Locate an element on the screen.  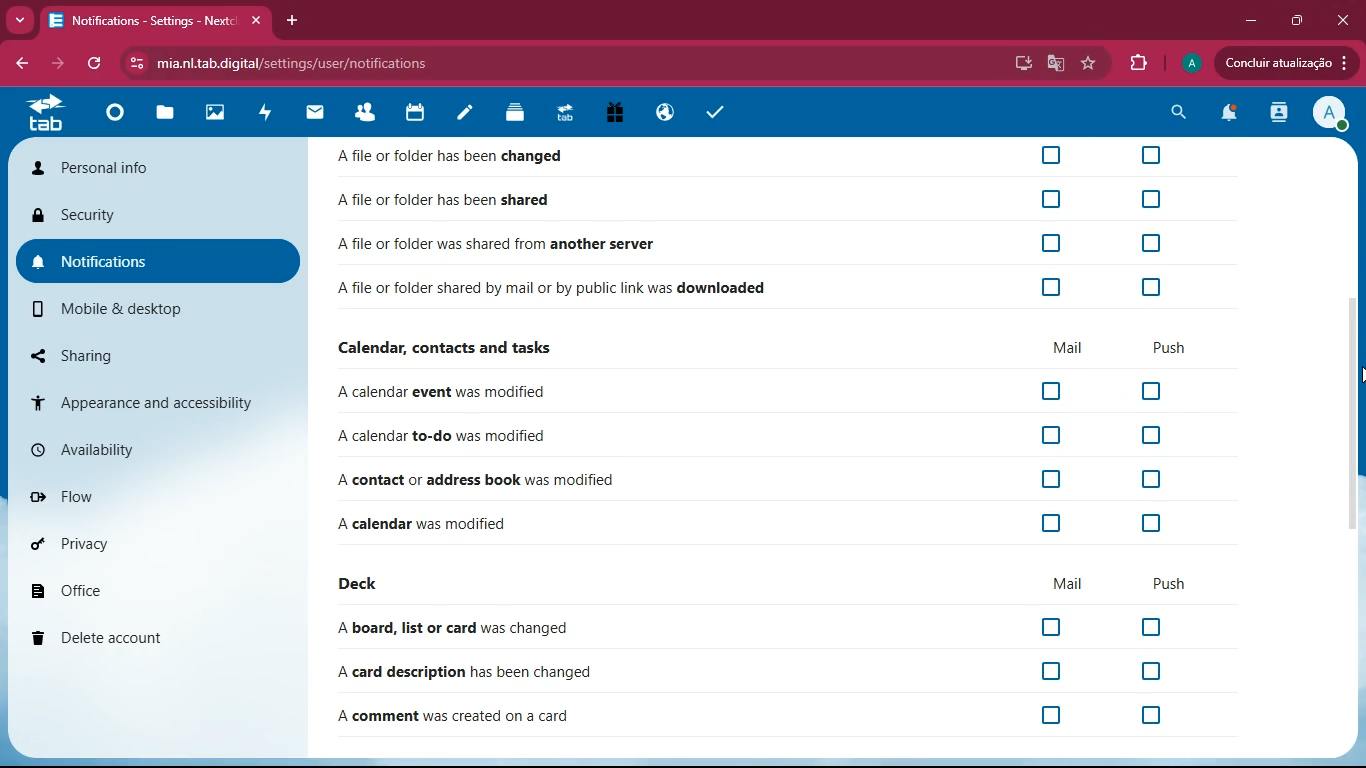
flow is located at coordinates (147, 499).